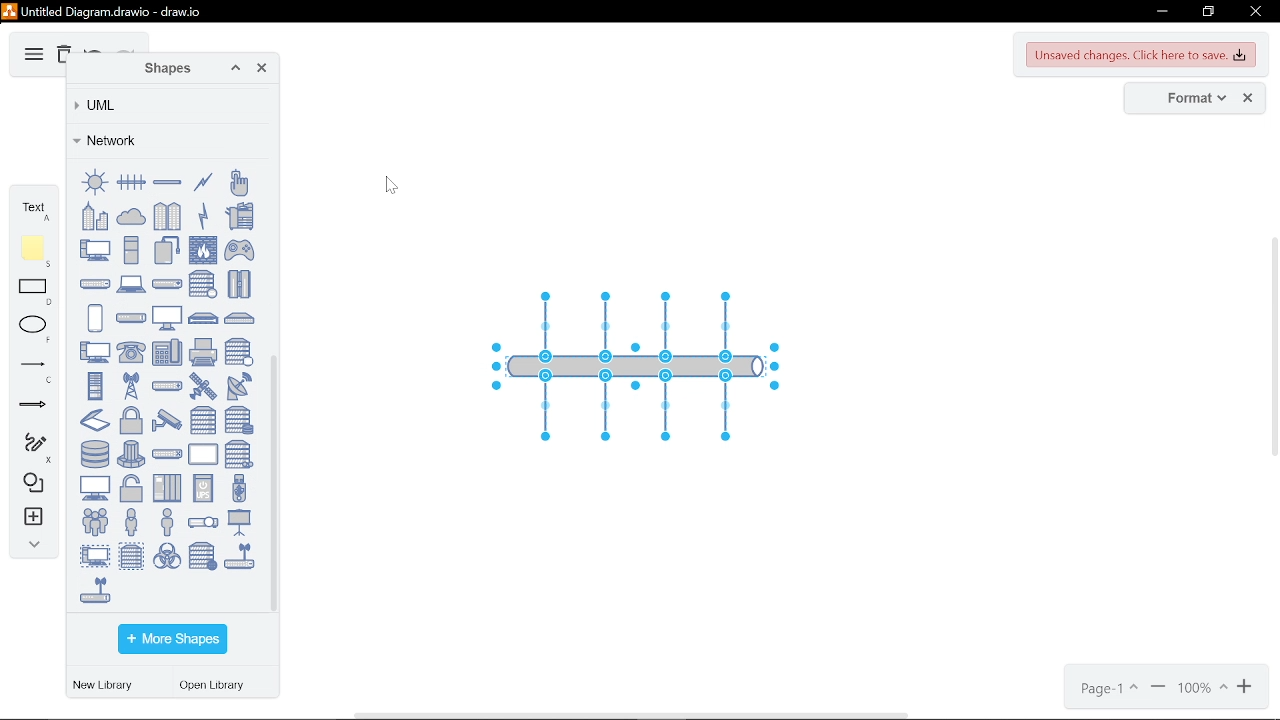 The width and height of the screenshot is (1280, 720). What do you see at coordinates (34, 208) in the screenshot?
I see `text` at bounding box center [34, 208].